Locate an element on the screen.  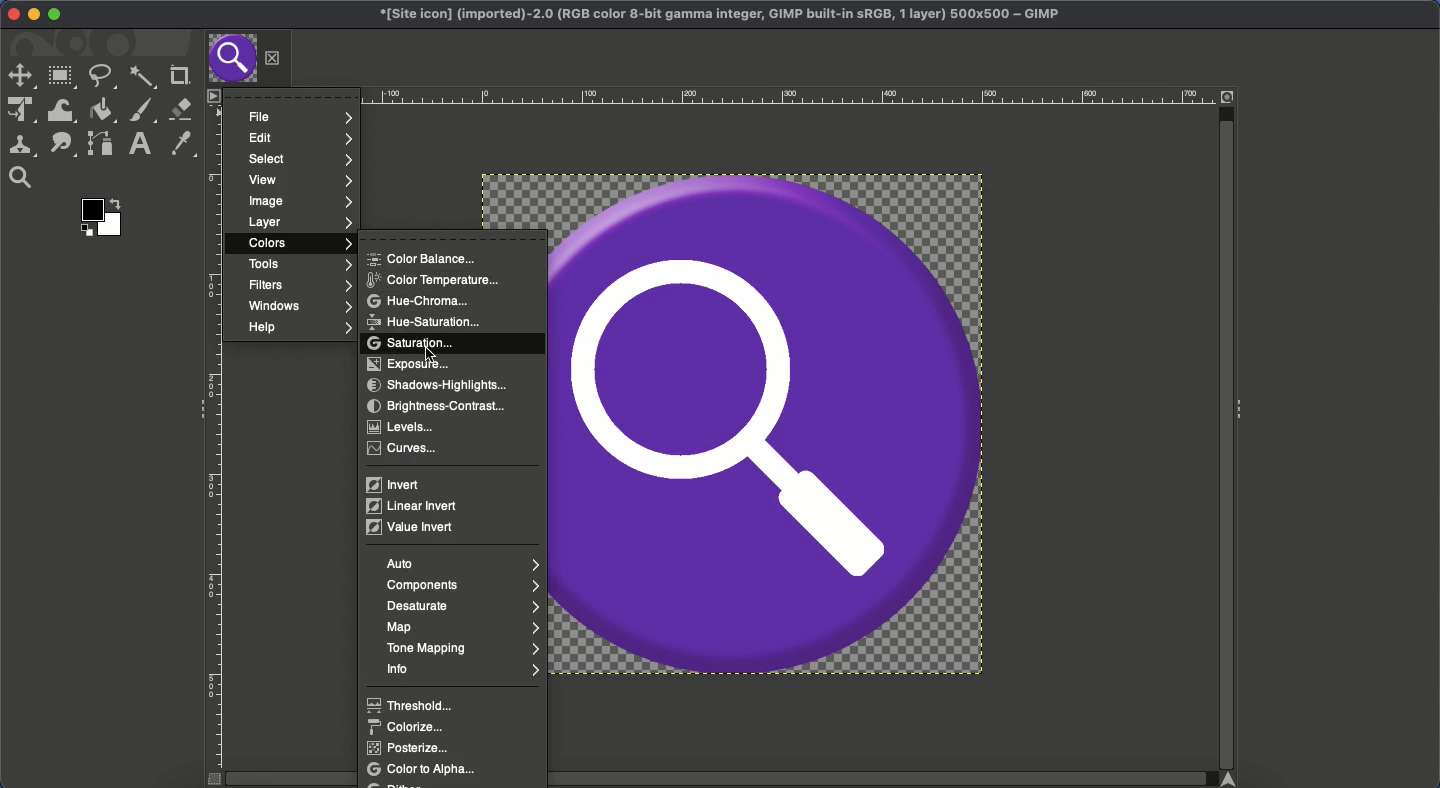
Colorize is located at coordinates (407, 727).